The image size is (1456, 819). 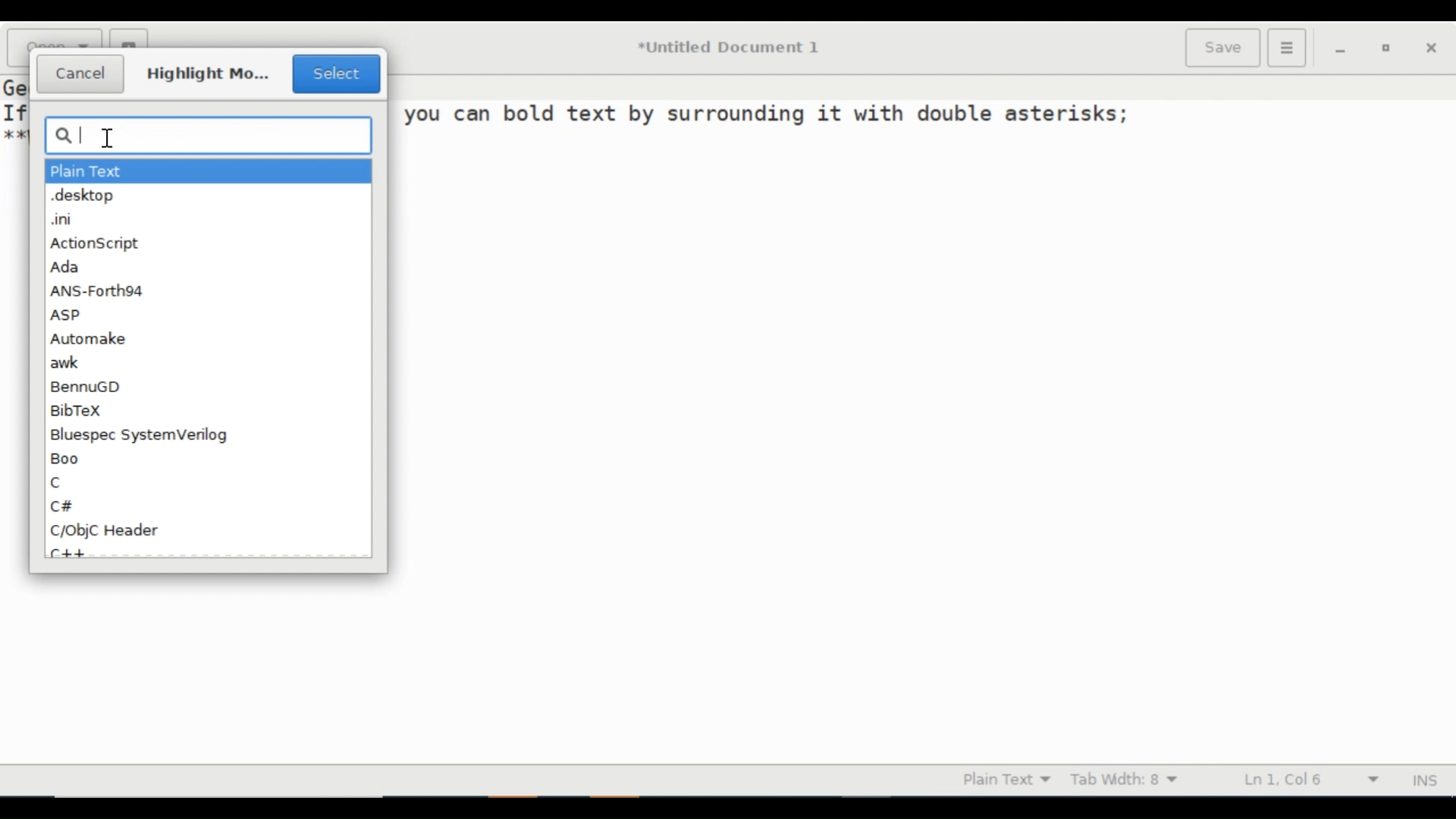 What do you see at coordinates (83, 196) in the screenshot?
I see `.desktop` at bounding box center [83, 196].